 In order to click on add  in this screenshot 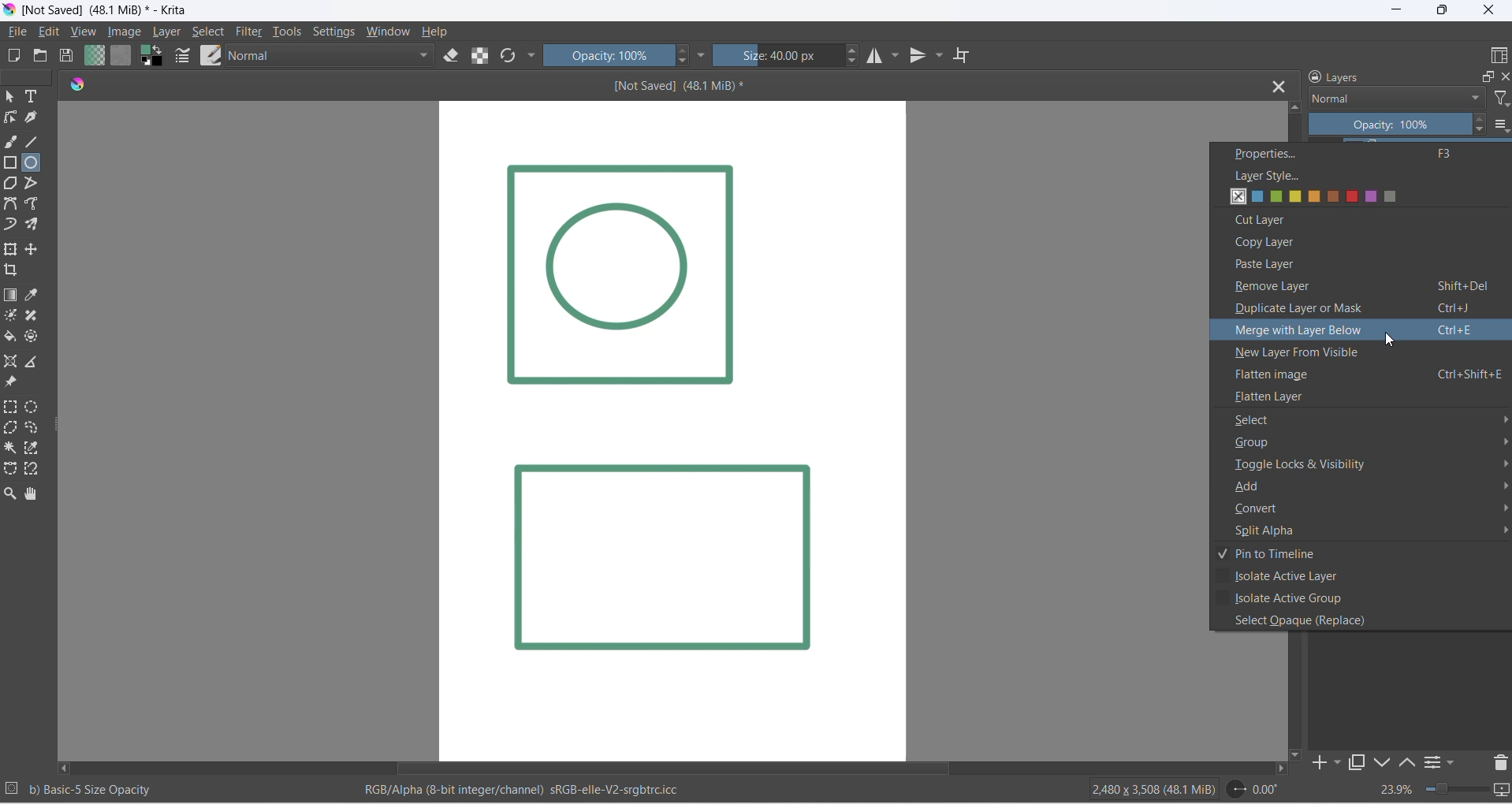, I will do `click(1361, 489)`.